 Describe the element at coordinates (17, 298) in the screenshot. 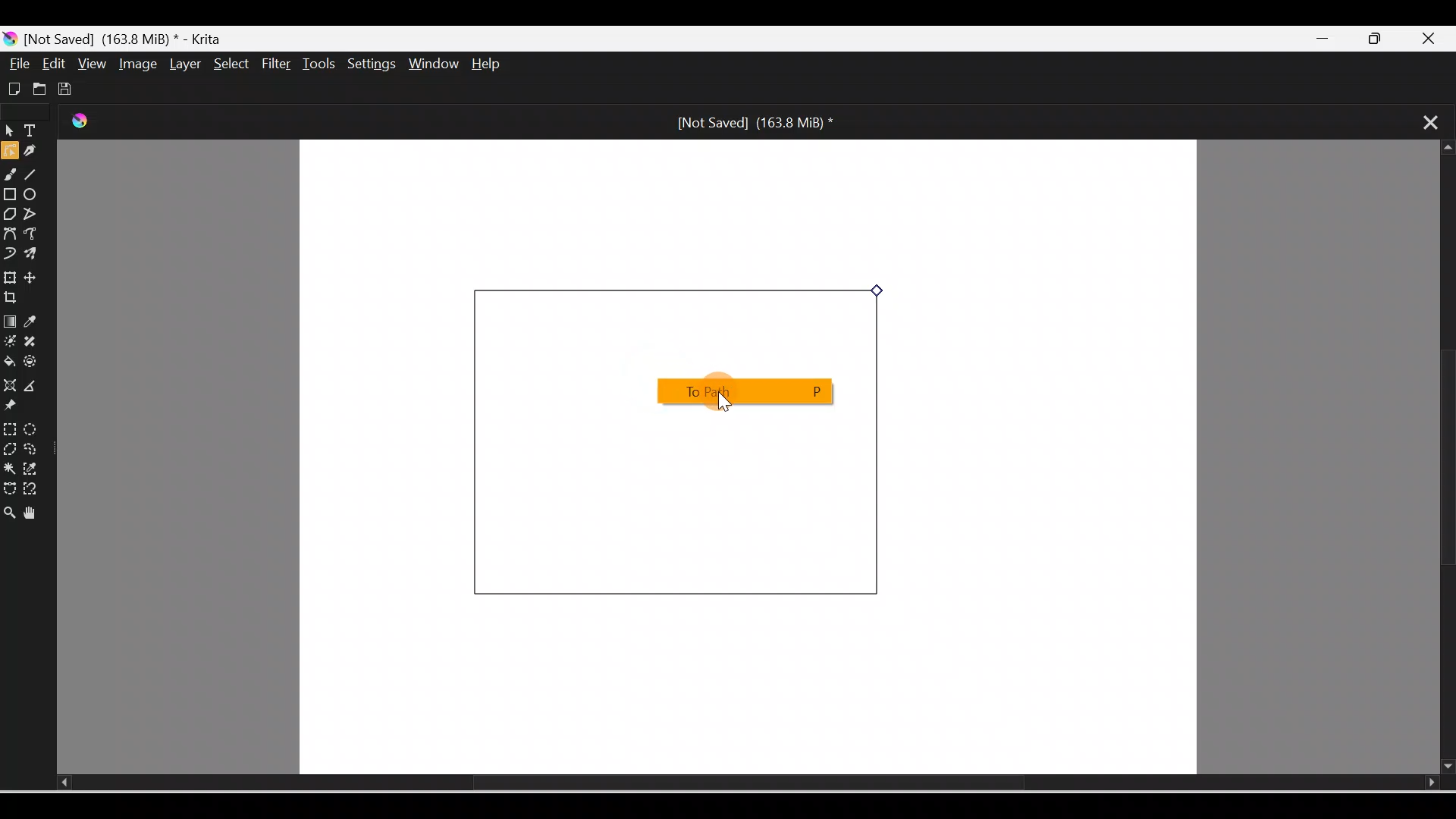

I see `Crop an image` at that location.